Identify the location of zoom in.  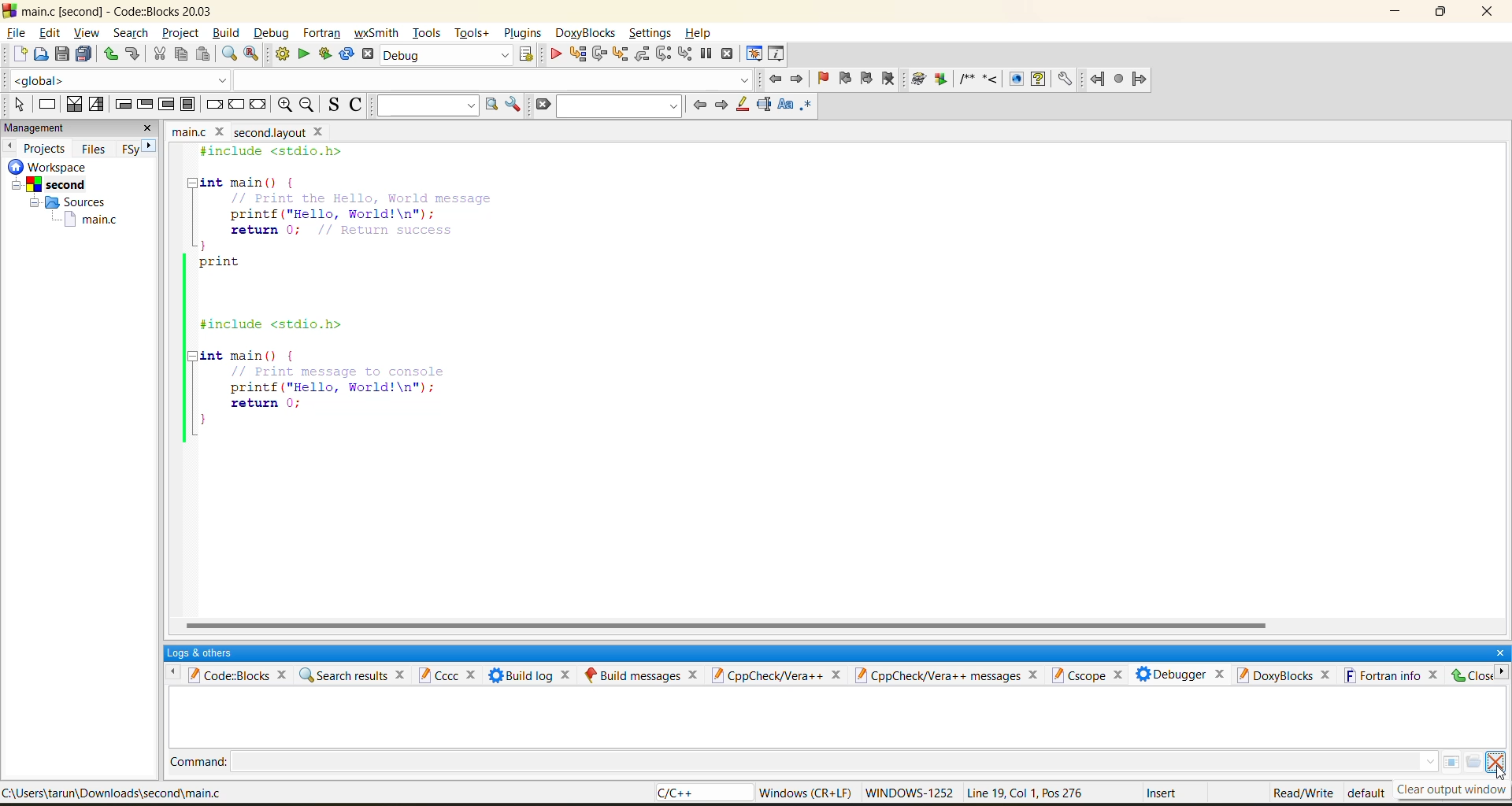
(287, 105).